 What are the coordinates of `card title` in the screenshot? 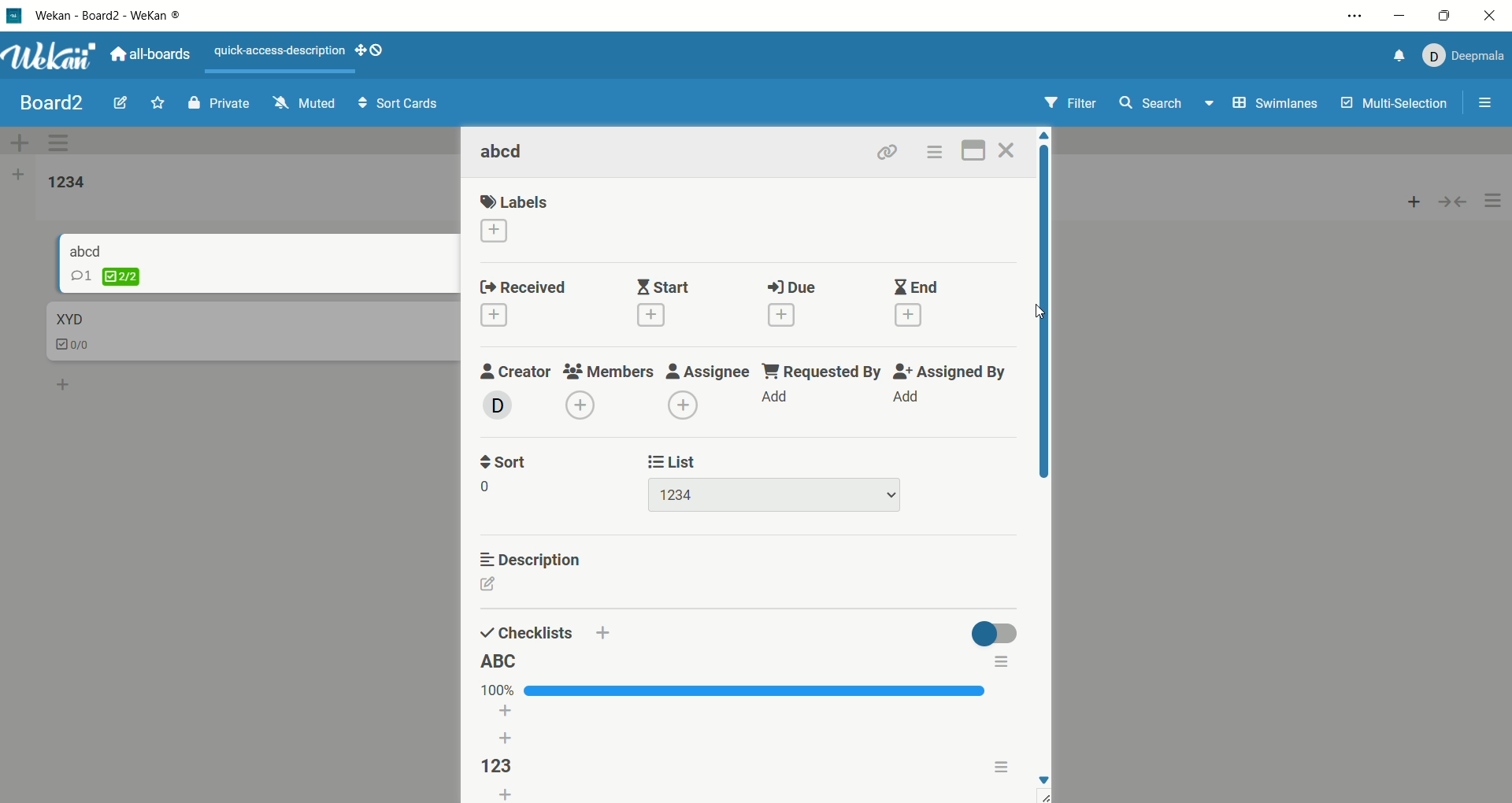 It's located at (87, 250).